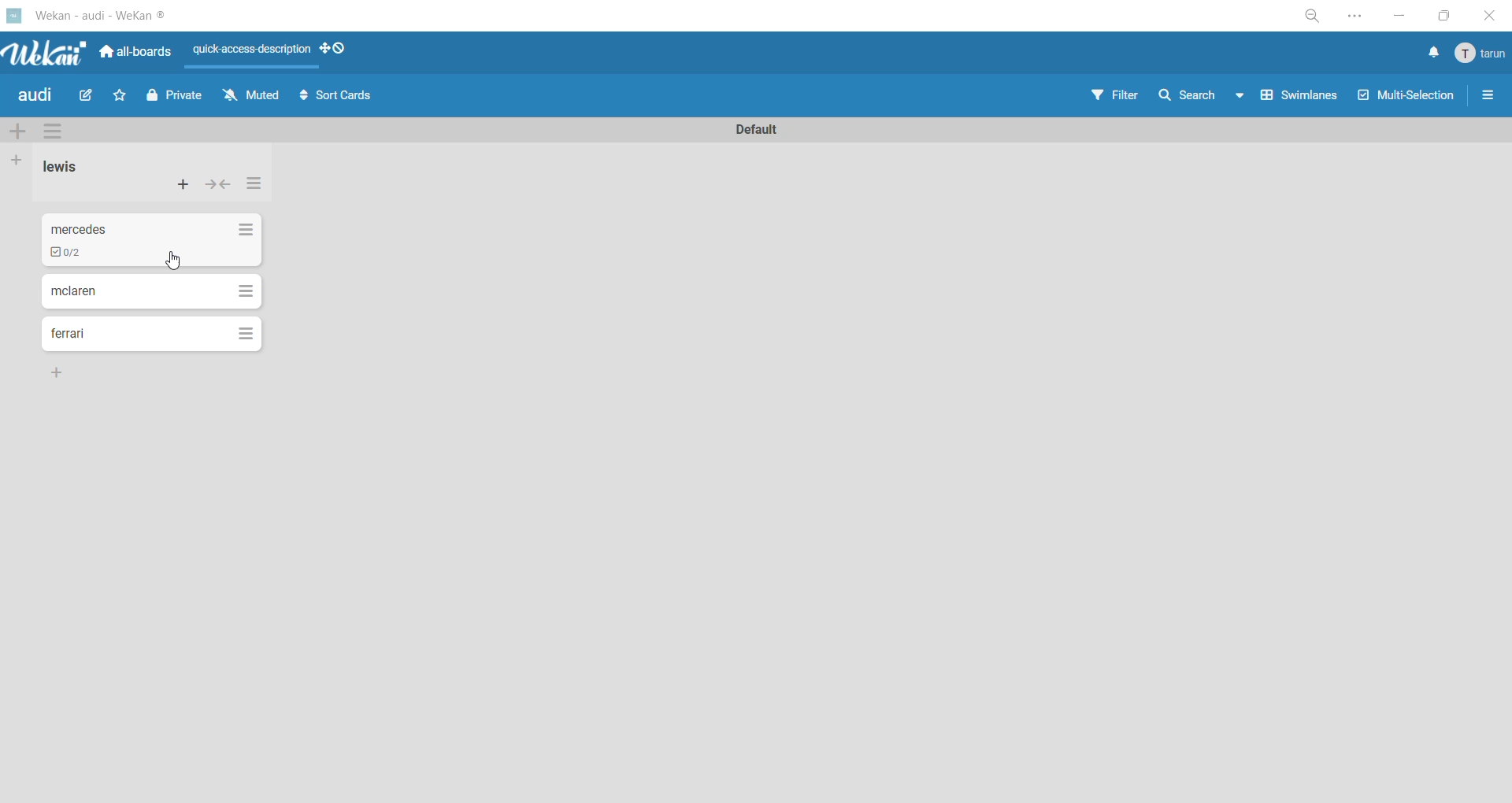 The width and height of the screenshot is (1512, 803). I want to click on muted, so click(255, 100).